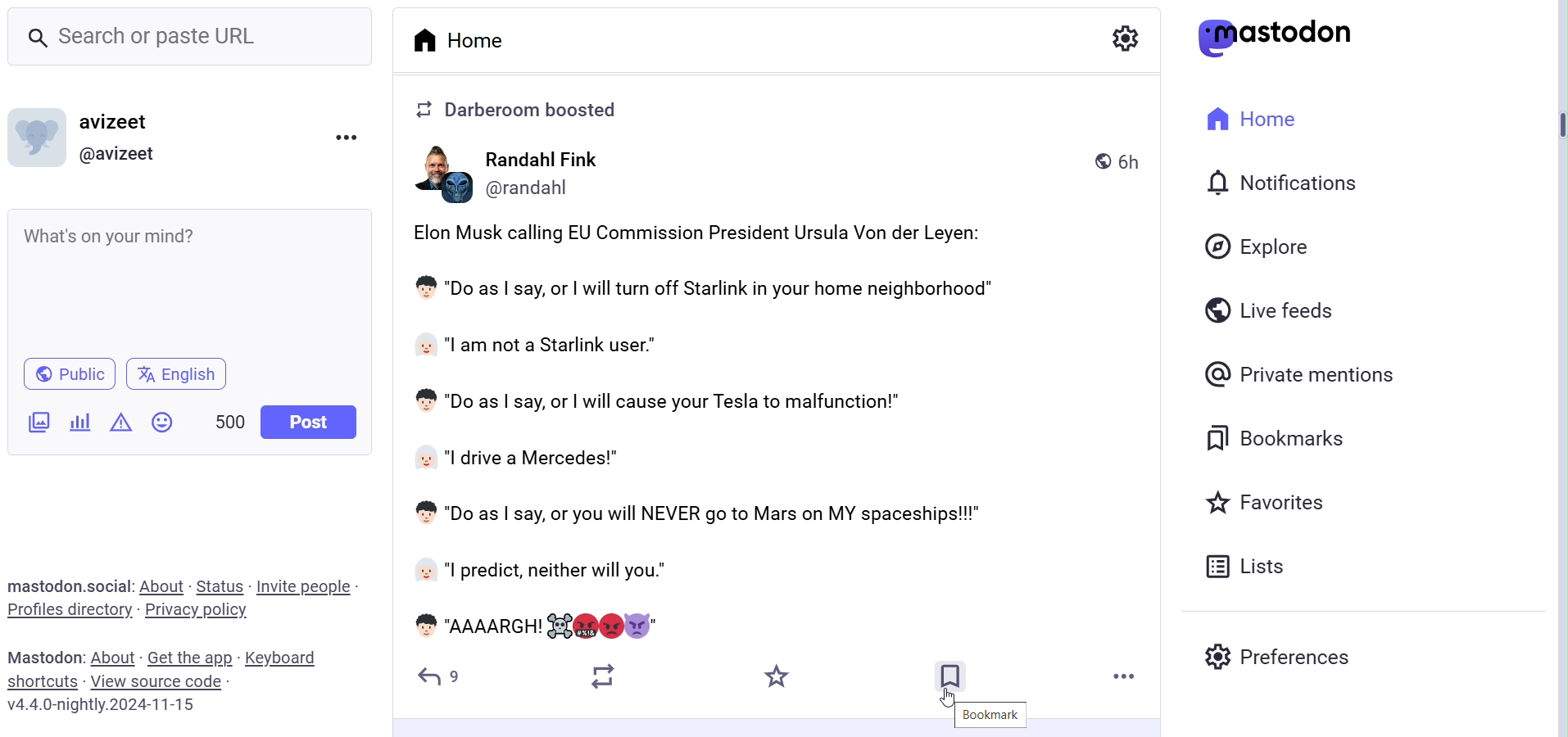 The height and width of the screenshot is (737, 1568). I want to click on Boost, so click(606, 676).